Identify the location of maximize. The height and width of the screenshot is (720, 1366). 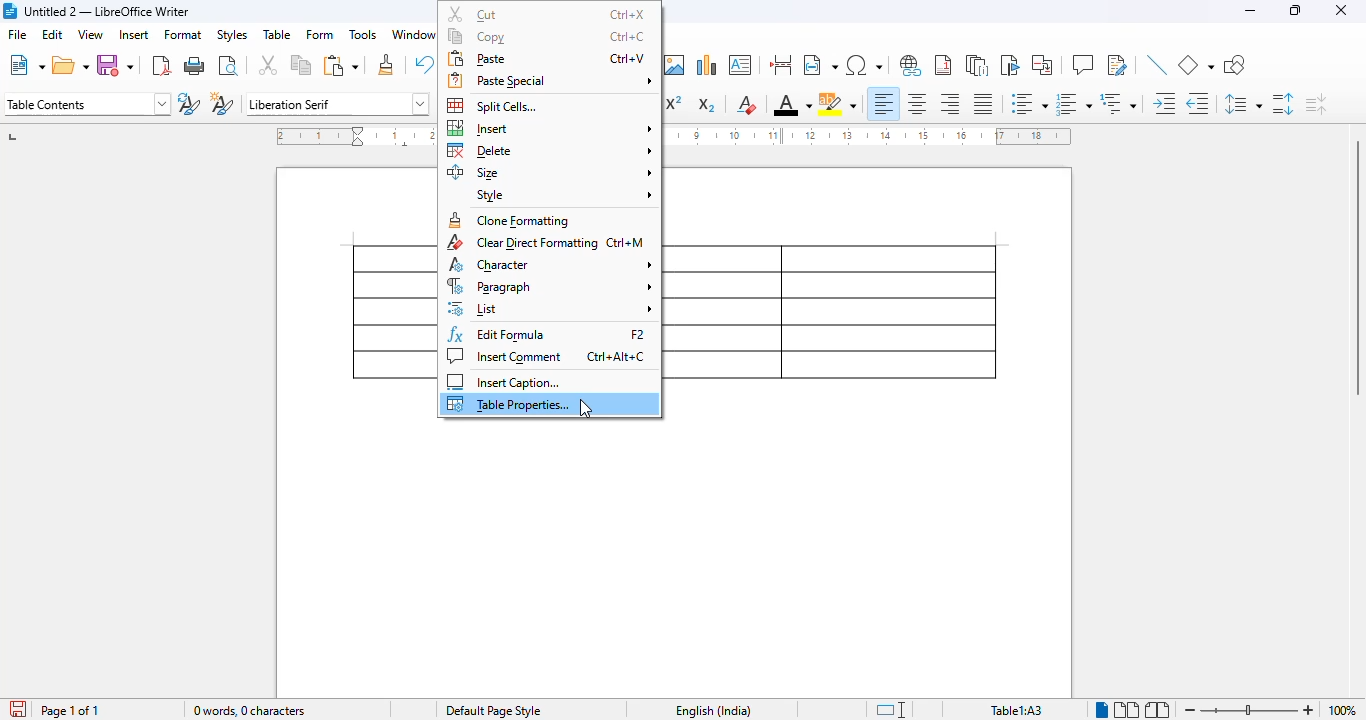
(1297, 10).